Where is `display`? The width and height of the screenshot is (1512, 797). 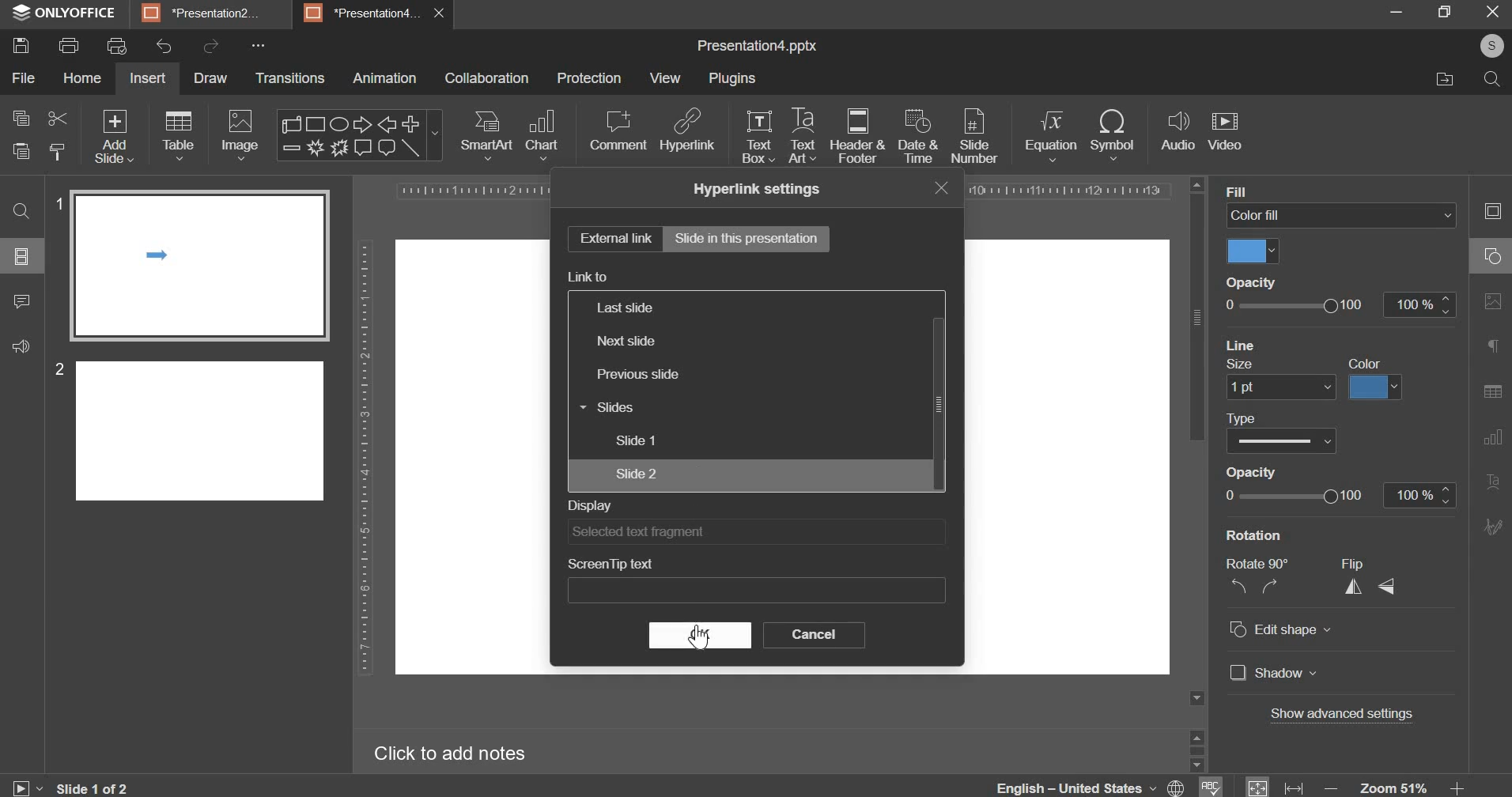
display is located at coordinates (750, 501).